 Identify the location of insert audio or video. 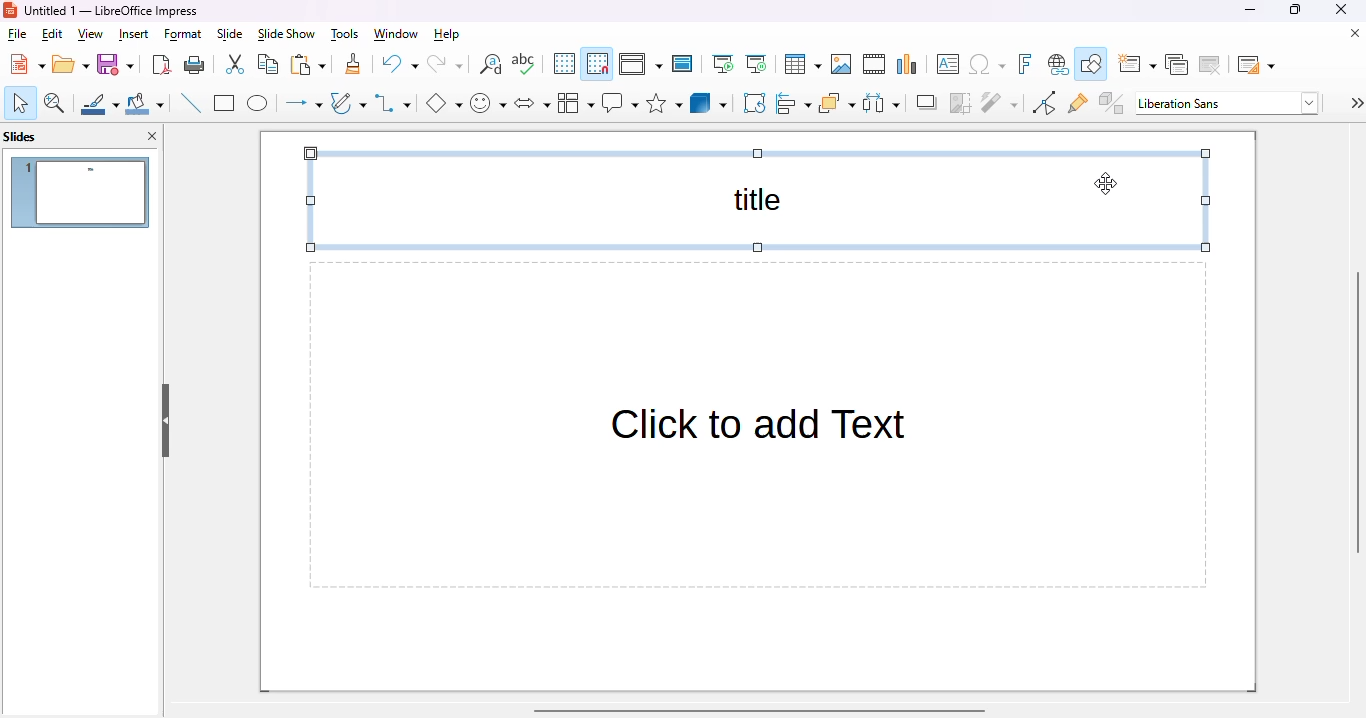
(874, 64).